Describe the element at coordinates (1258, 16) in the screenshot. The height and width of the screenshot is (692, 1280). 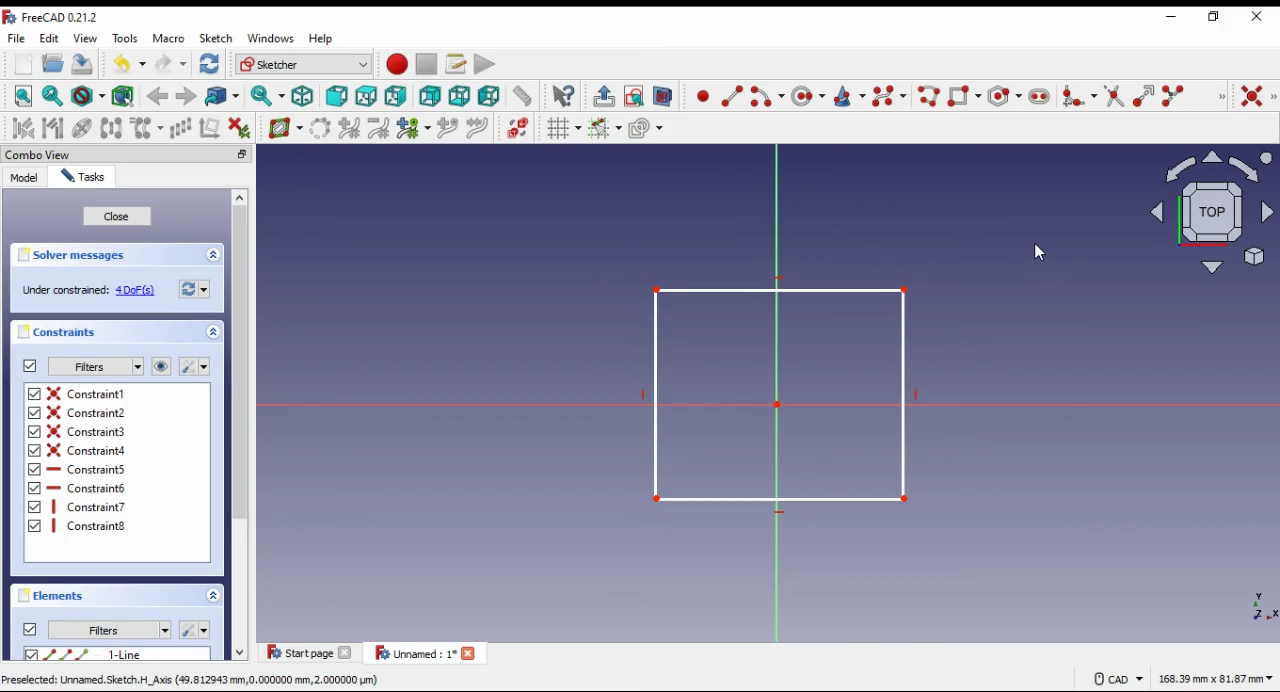
I see `close windp` at that location.